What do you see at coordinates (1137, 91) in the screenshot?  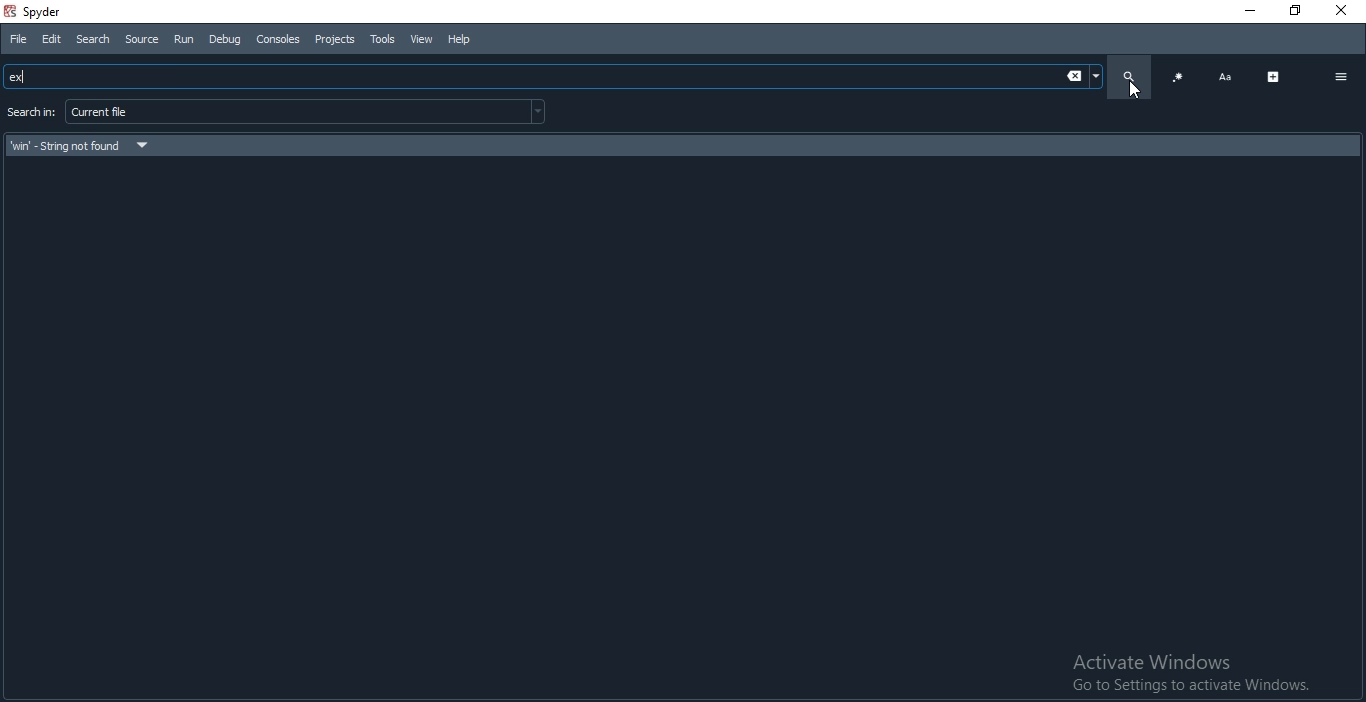 I see `cursor` at bounding box center [1137, 91].